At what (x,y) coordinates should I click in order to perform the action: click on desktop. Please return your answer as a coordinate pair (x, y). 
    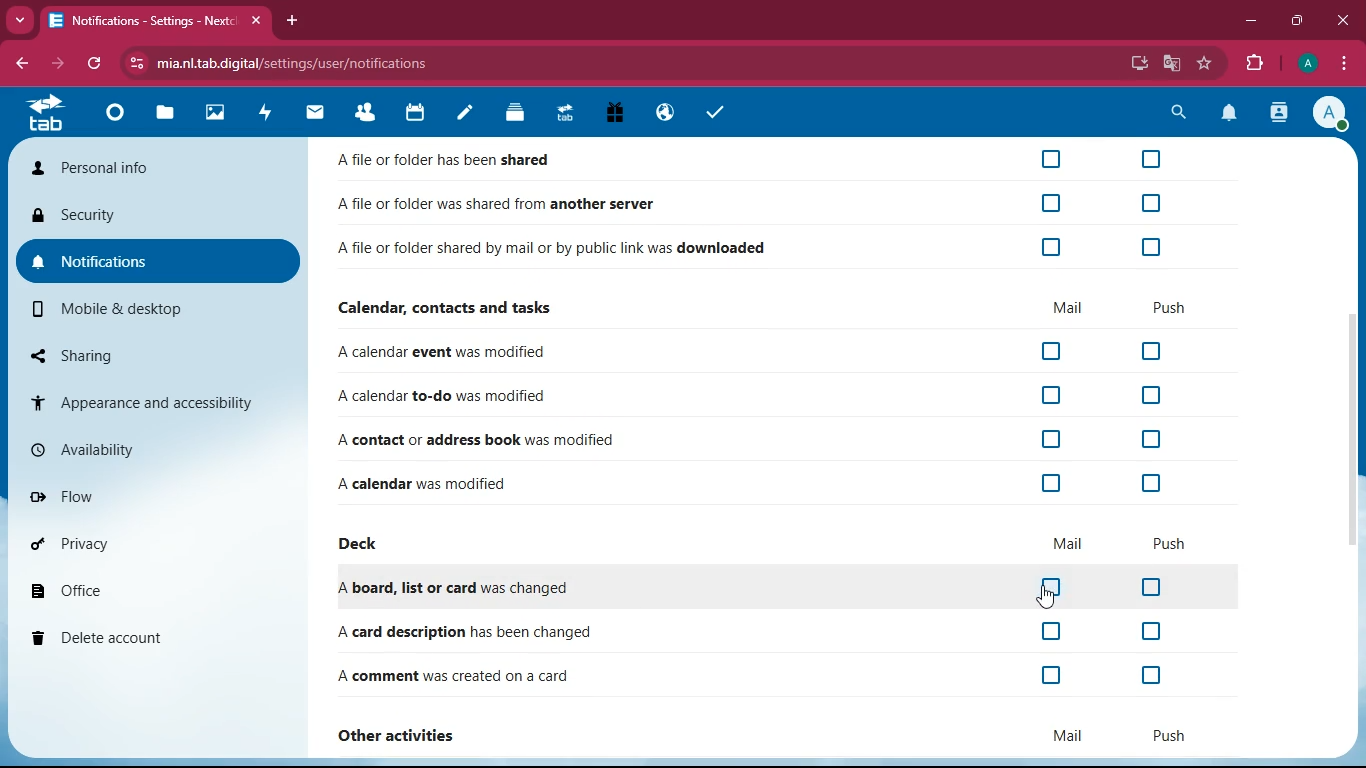
    Looking at the image, I should click on (1136, 64).